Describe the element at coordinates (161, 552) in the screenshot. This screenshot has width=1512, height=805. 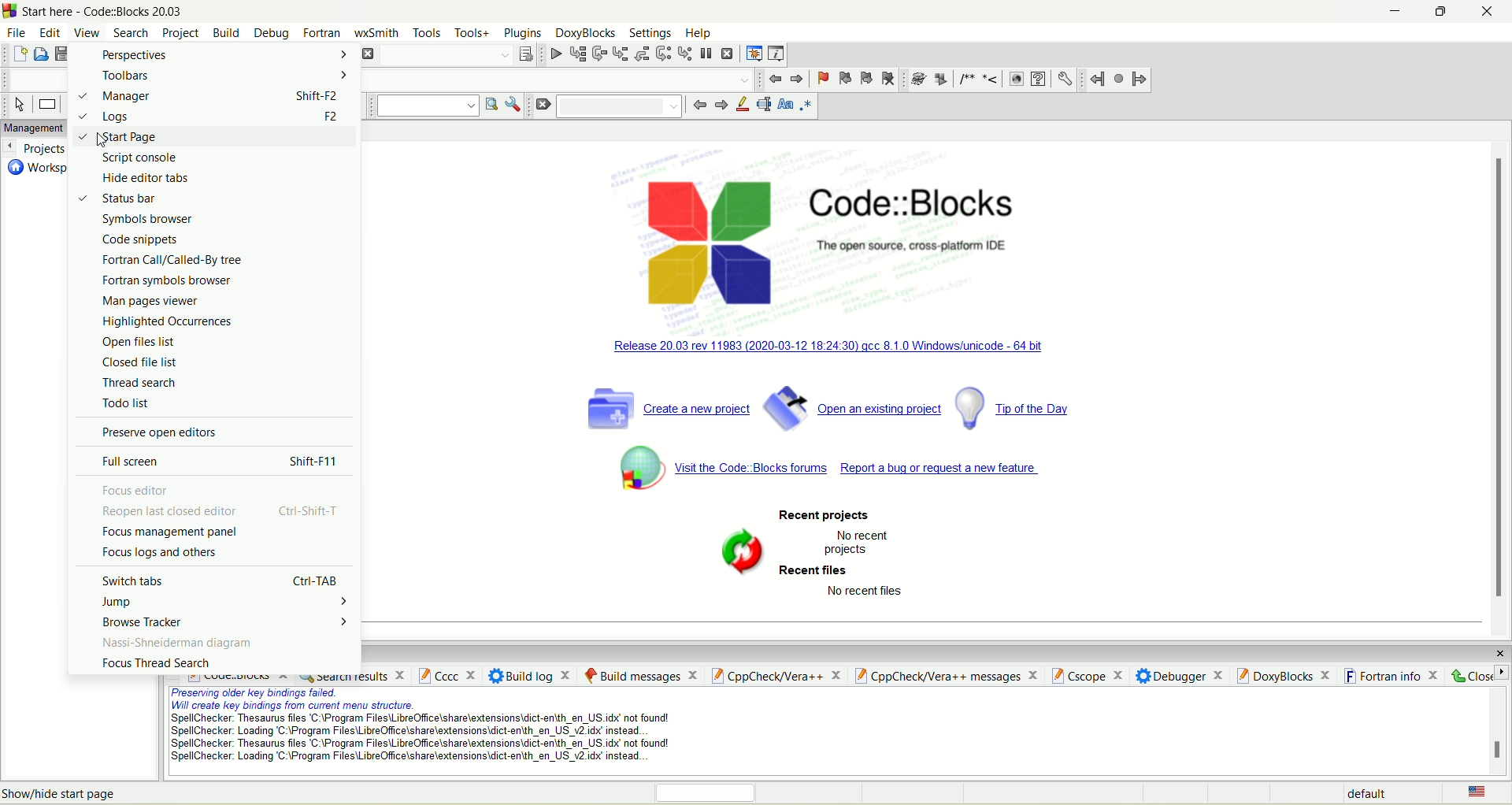
I see `focus logs and others` at that location.